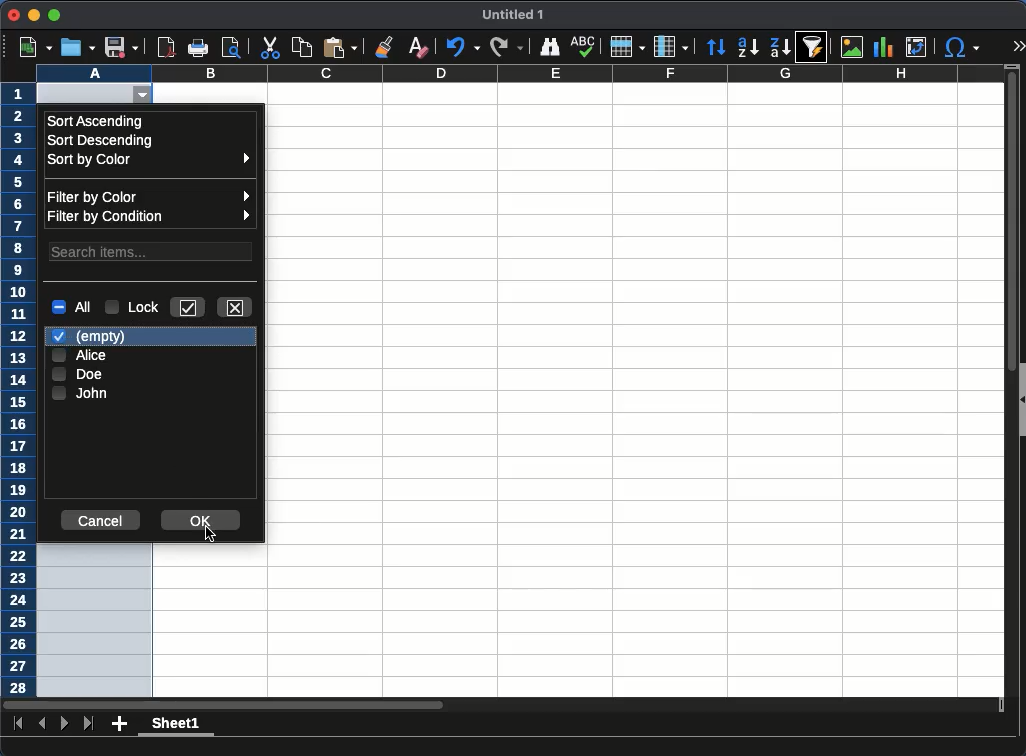  What do you see at coordinates (417, 48) in the screenshot?
I see `clear formatting` at bounding box center [417, 48].